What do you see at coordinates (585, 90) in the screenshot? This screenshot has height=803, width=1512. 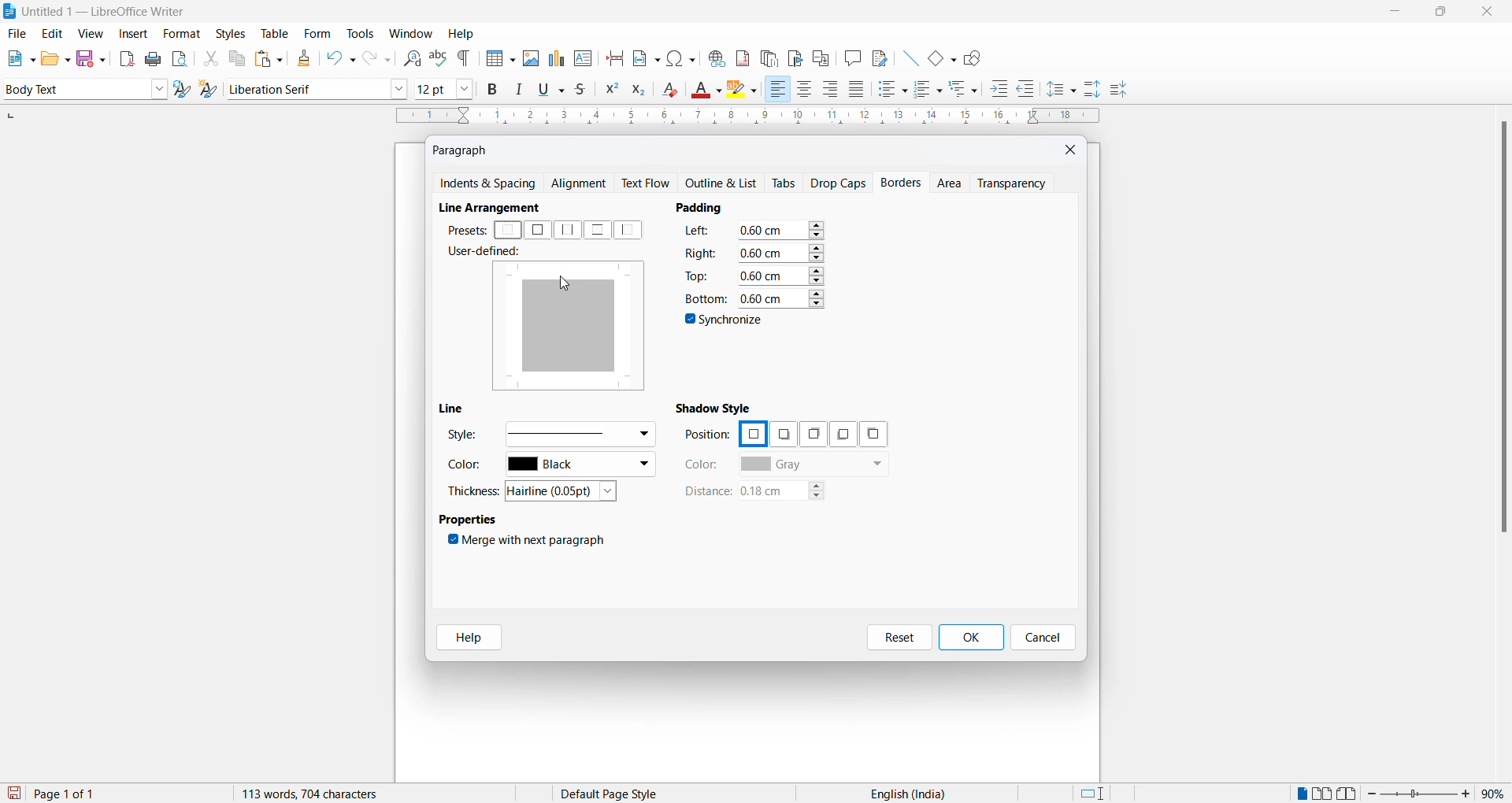 I see `strike through` at bounding box center [585, 90].